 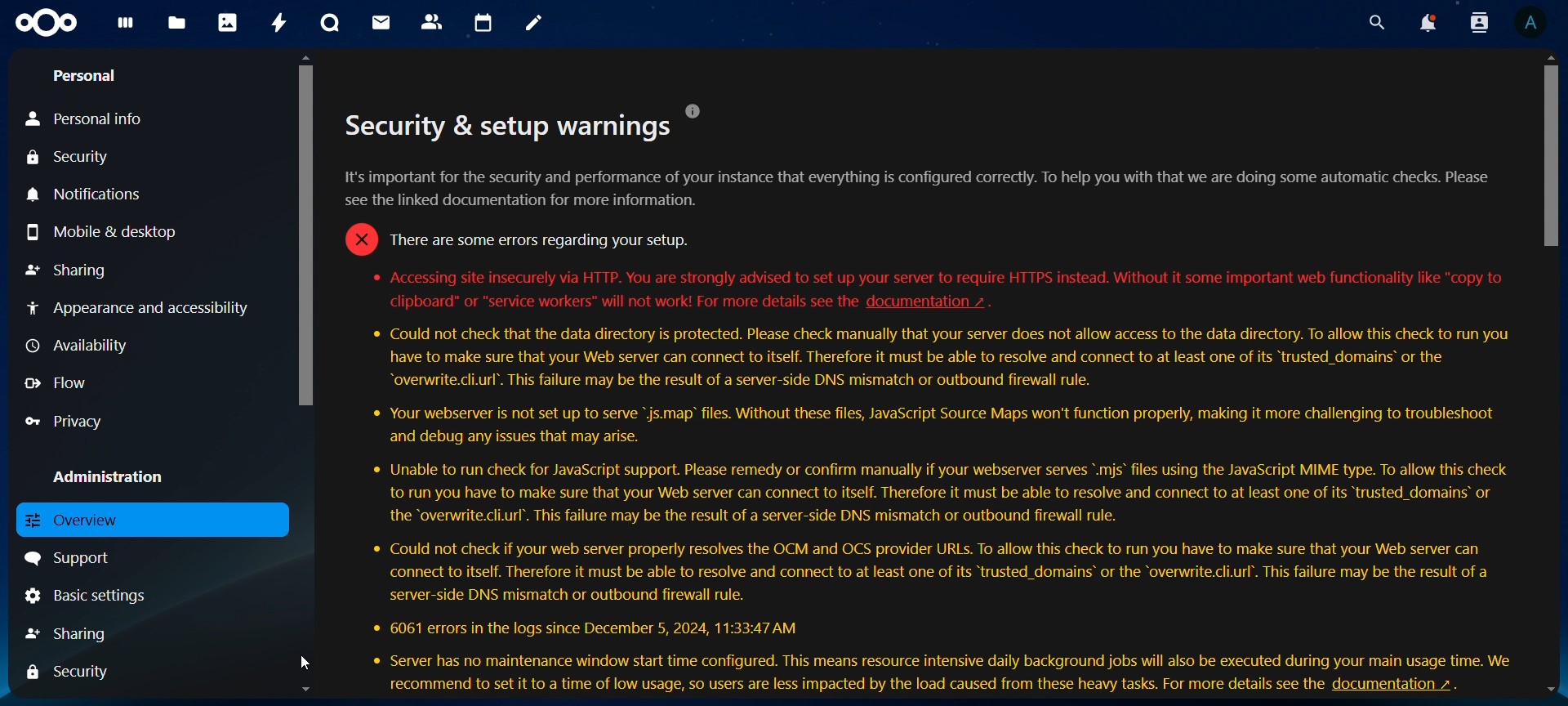 I want to click on notifications, so click(x=85, y=196).